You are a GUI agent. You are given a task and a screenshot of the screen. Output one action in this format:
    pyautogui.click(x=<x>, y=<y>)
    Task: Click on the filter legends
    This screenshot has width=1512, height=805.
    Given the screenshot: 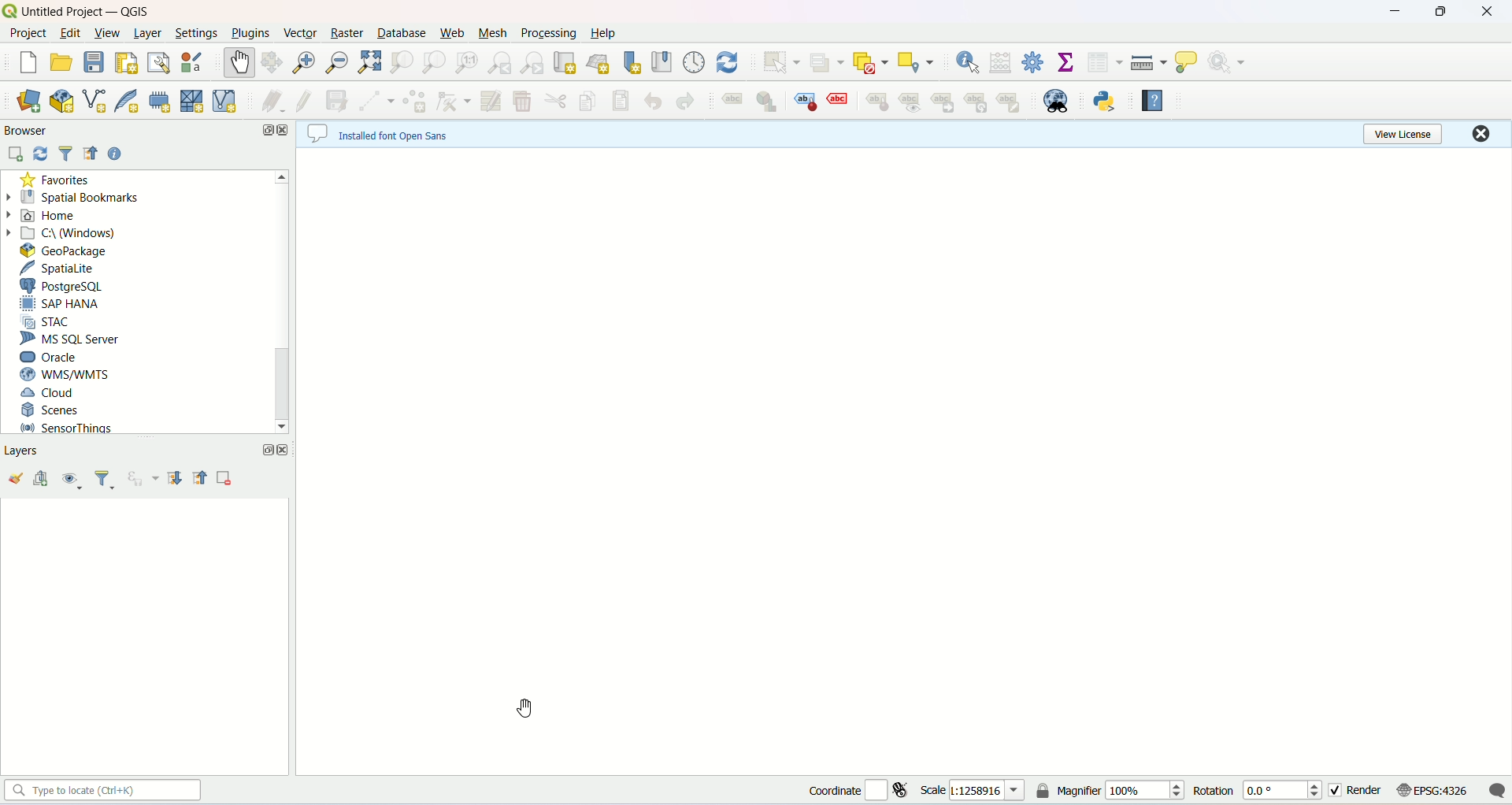 What is the action you would take?
    pyautogui.click(x=104, y=481)
    